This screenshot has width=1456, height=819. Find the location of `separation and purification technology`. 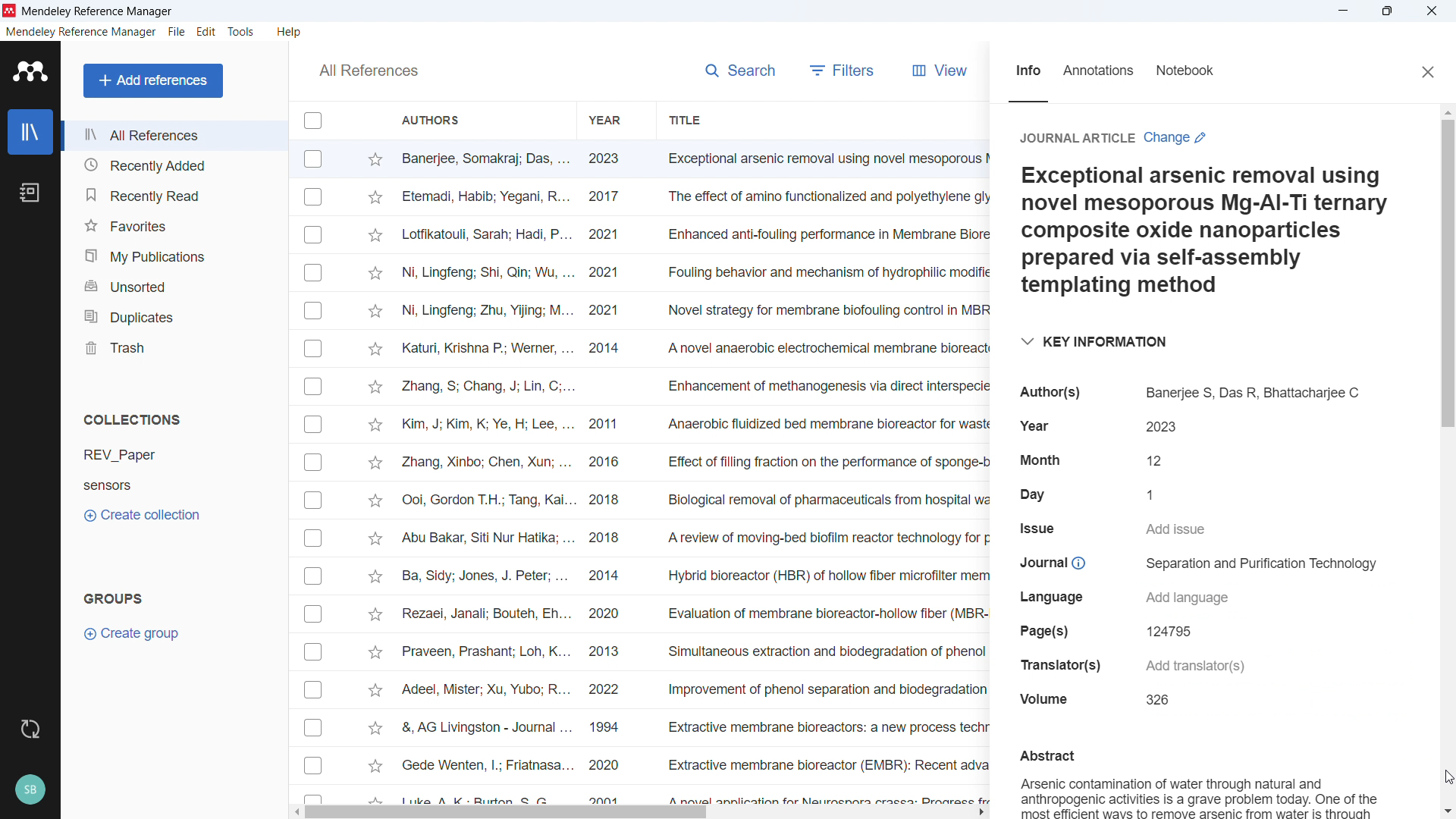

separation and purification technology is located at coordinates (1255, 564).